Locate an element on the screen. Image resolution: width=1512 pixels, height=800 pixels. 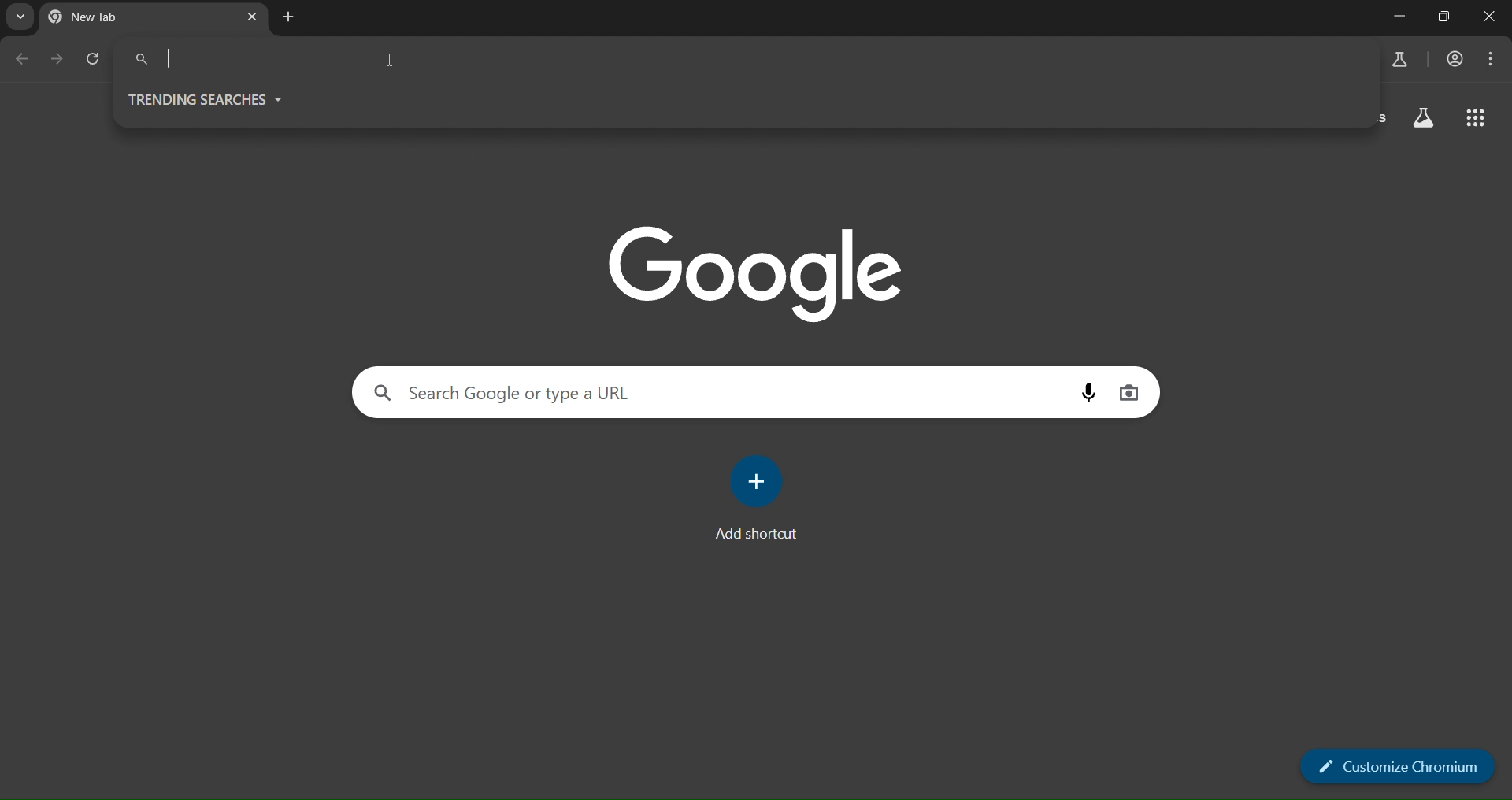
customize chromium is located at coordinates (1399, 765).